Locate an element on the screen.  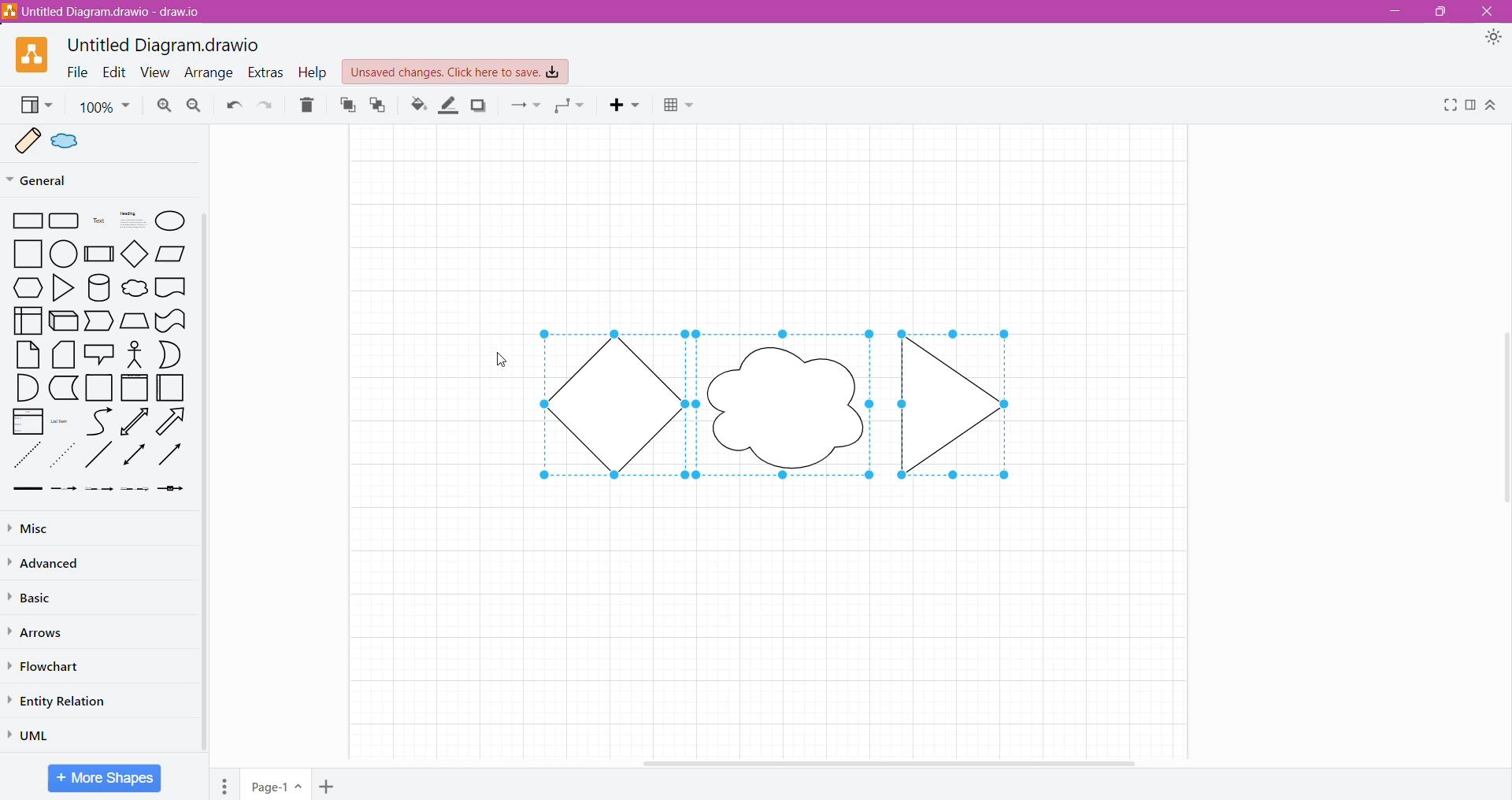
Cursor is located at coordinates (491, 357).